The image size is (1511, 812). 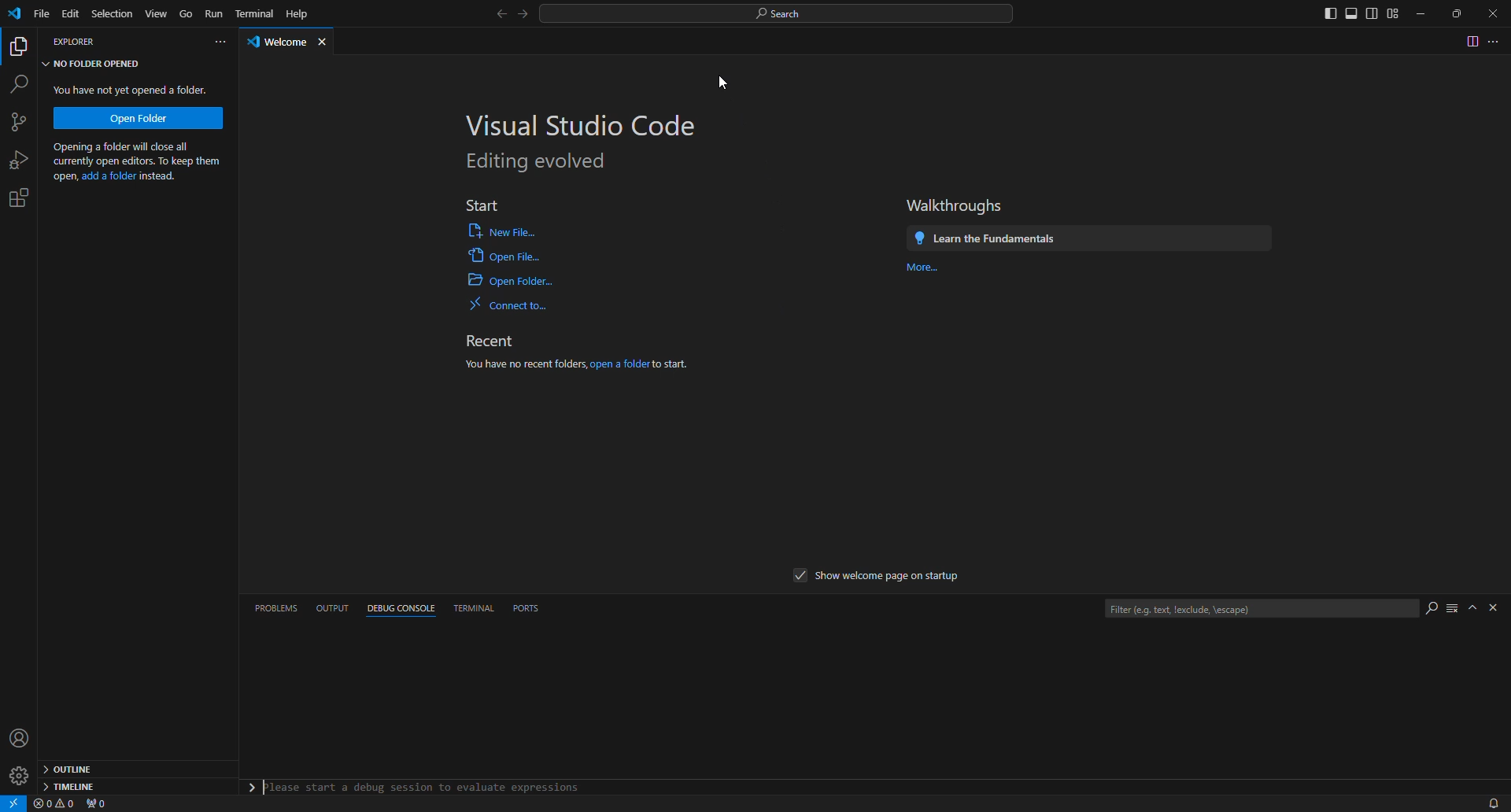 What do you see at coordinates (1491, 801) in the screenshot?
I see `notifications` at bounding box center [1491, 801].